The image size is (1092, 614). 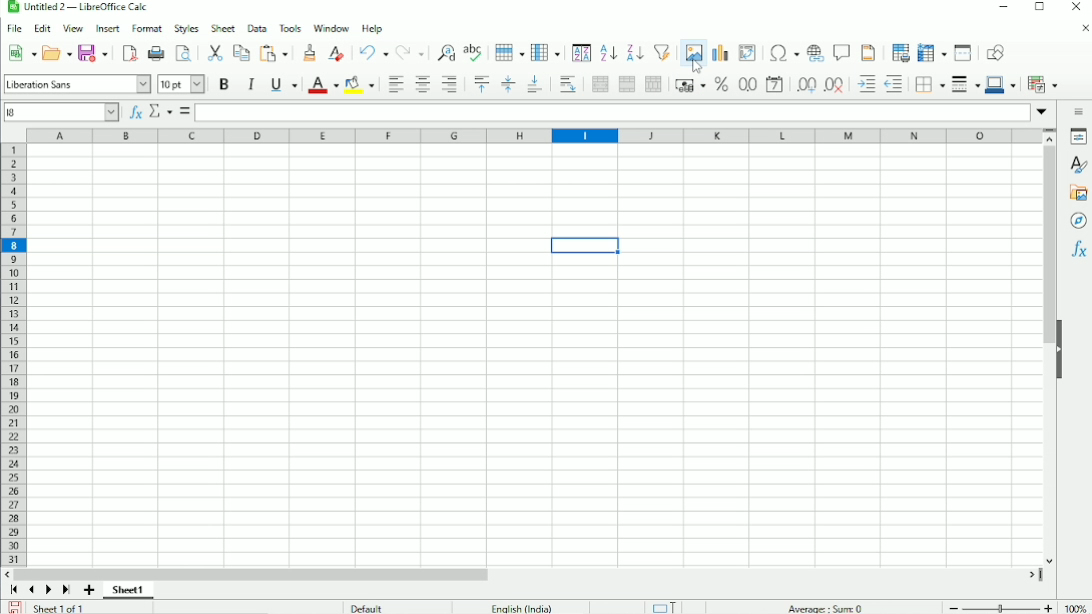 What do you see at coordinates (253, 84) in the screenshot?
I see `Italic` at bounding box center [253, 84].